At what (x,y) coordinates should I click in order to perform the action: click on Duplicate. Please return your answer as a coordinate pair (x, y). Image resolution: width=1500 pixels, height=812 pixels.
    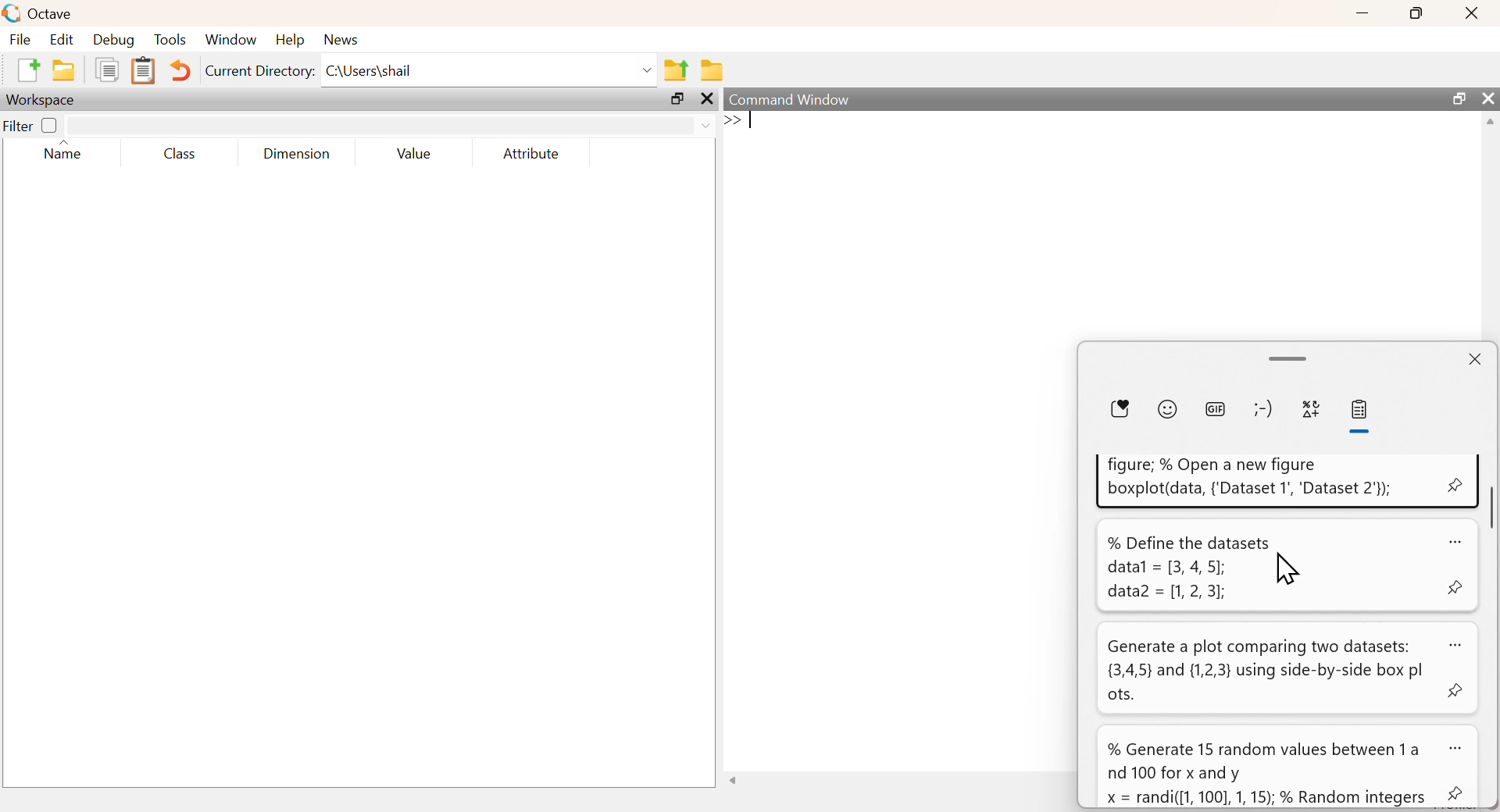
    Looking at the image, I should click on (106, 69).